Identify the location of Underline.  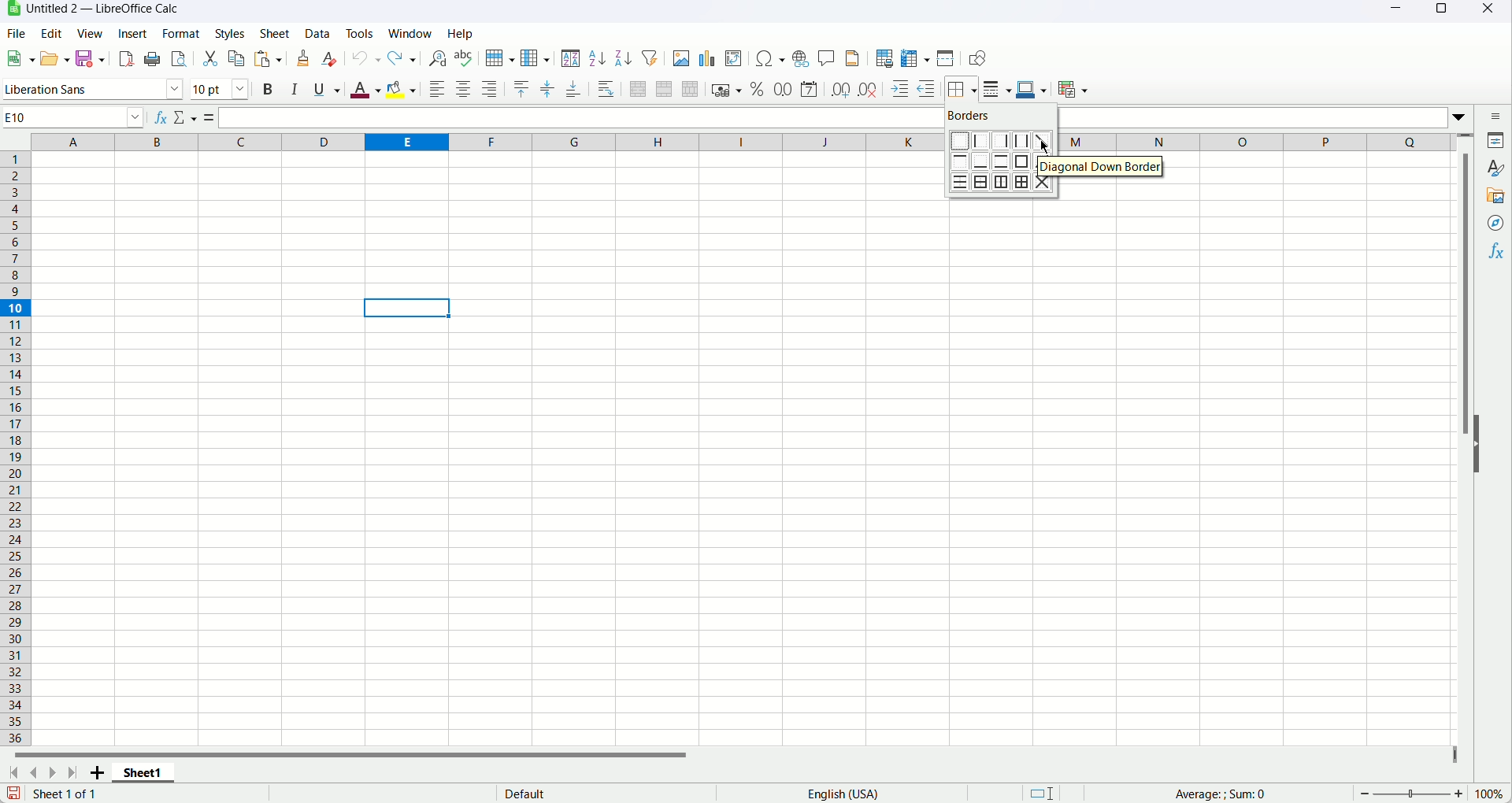
(327, 90).